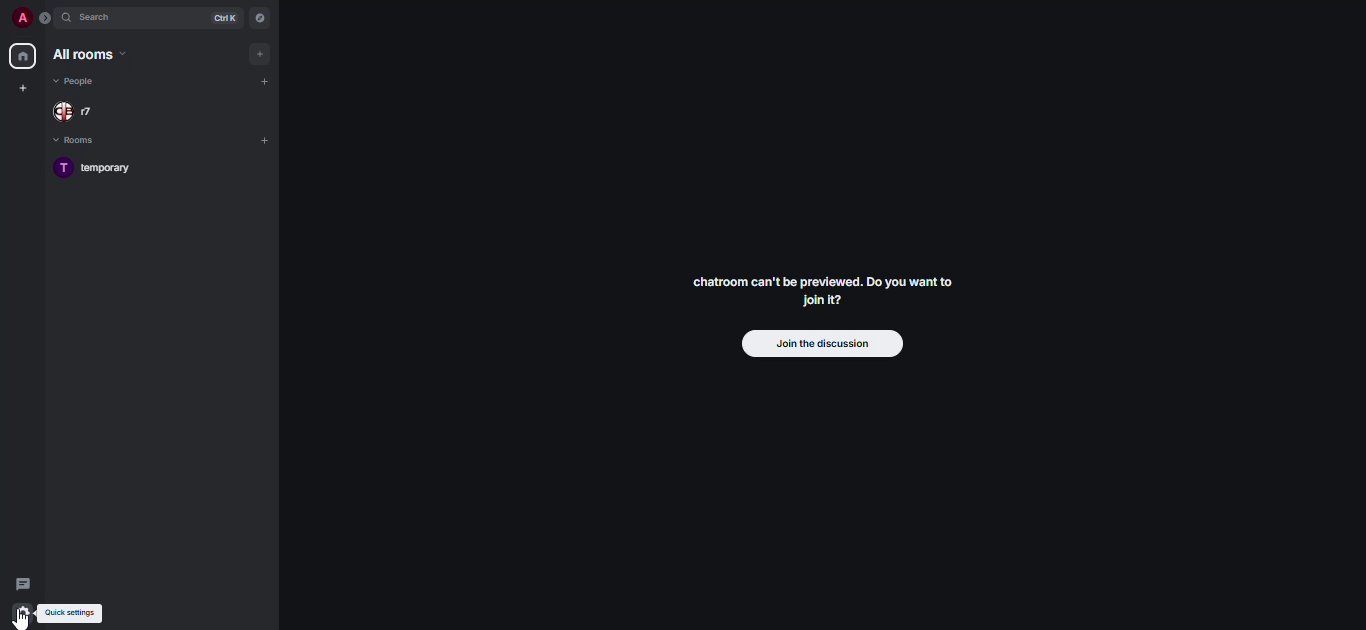 Image resolution: width=1366 pixels, height=630 pixels. What do you see at coordinates (21, 88) in the screenshot?
I see `create space` at bounding box center [21, 88].